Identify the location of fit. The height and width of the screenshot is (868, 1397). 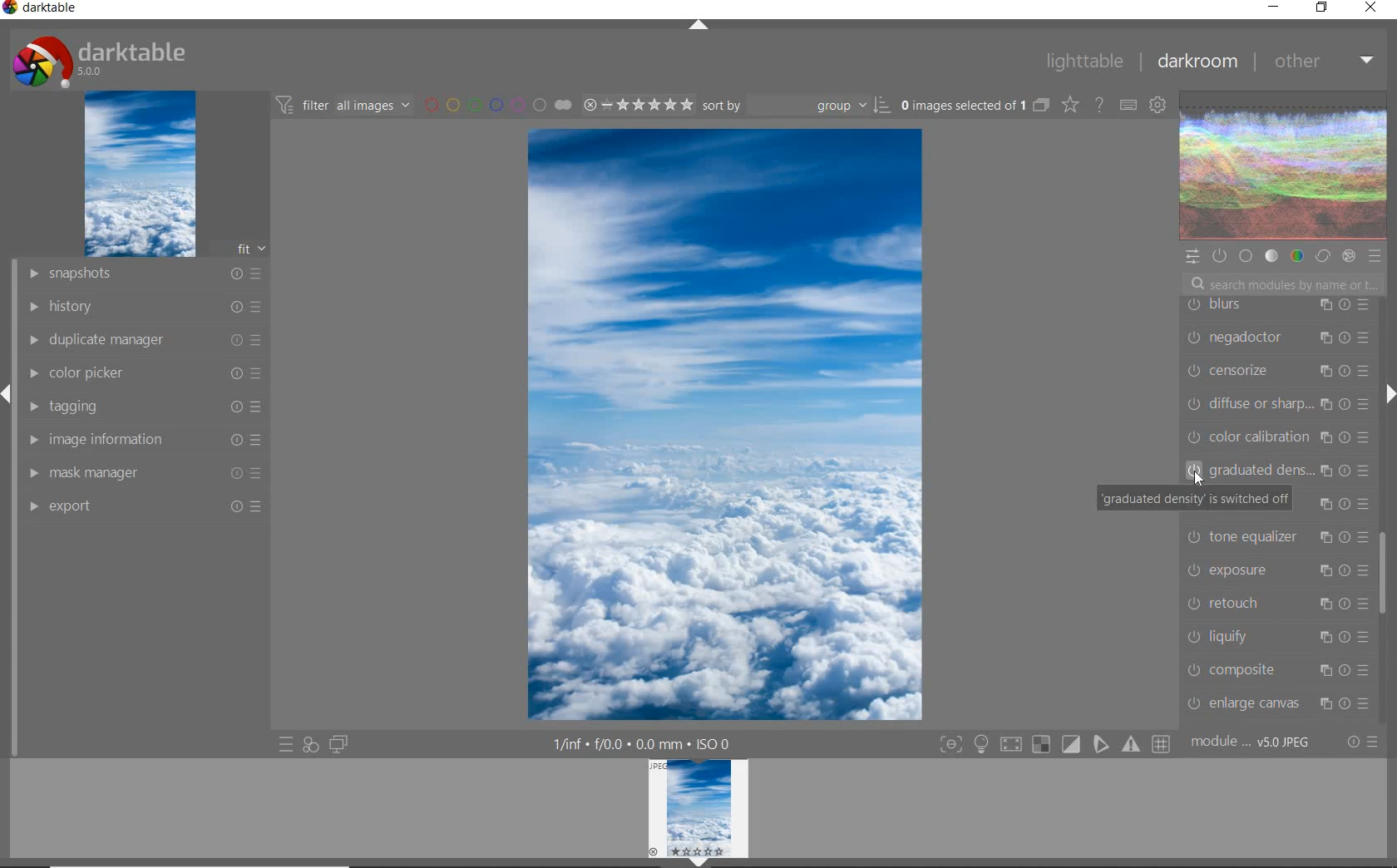
(241, 249).